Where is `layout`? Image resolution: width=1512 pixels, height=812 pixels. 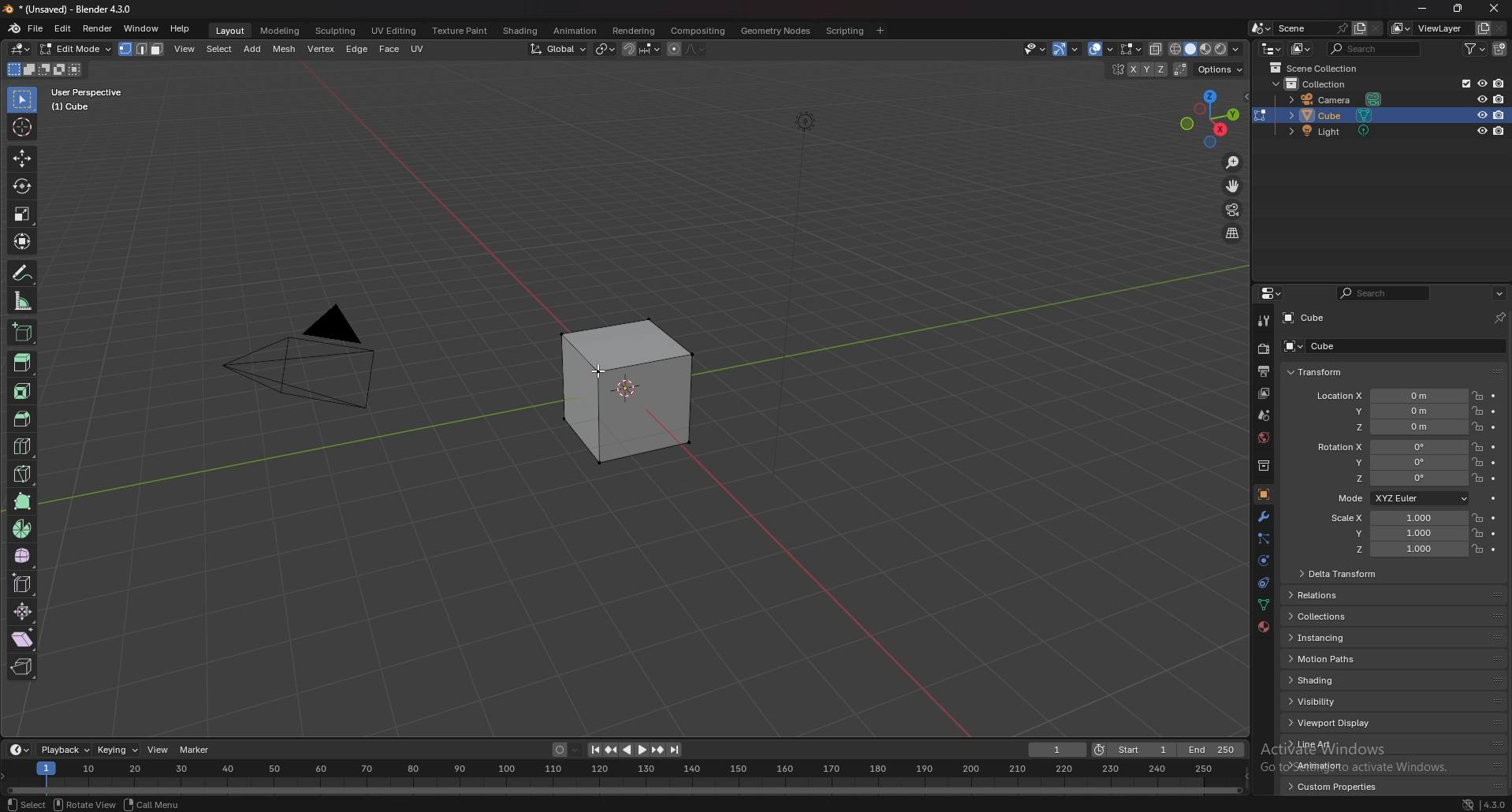
layout is located at coordinates (230, 31).